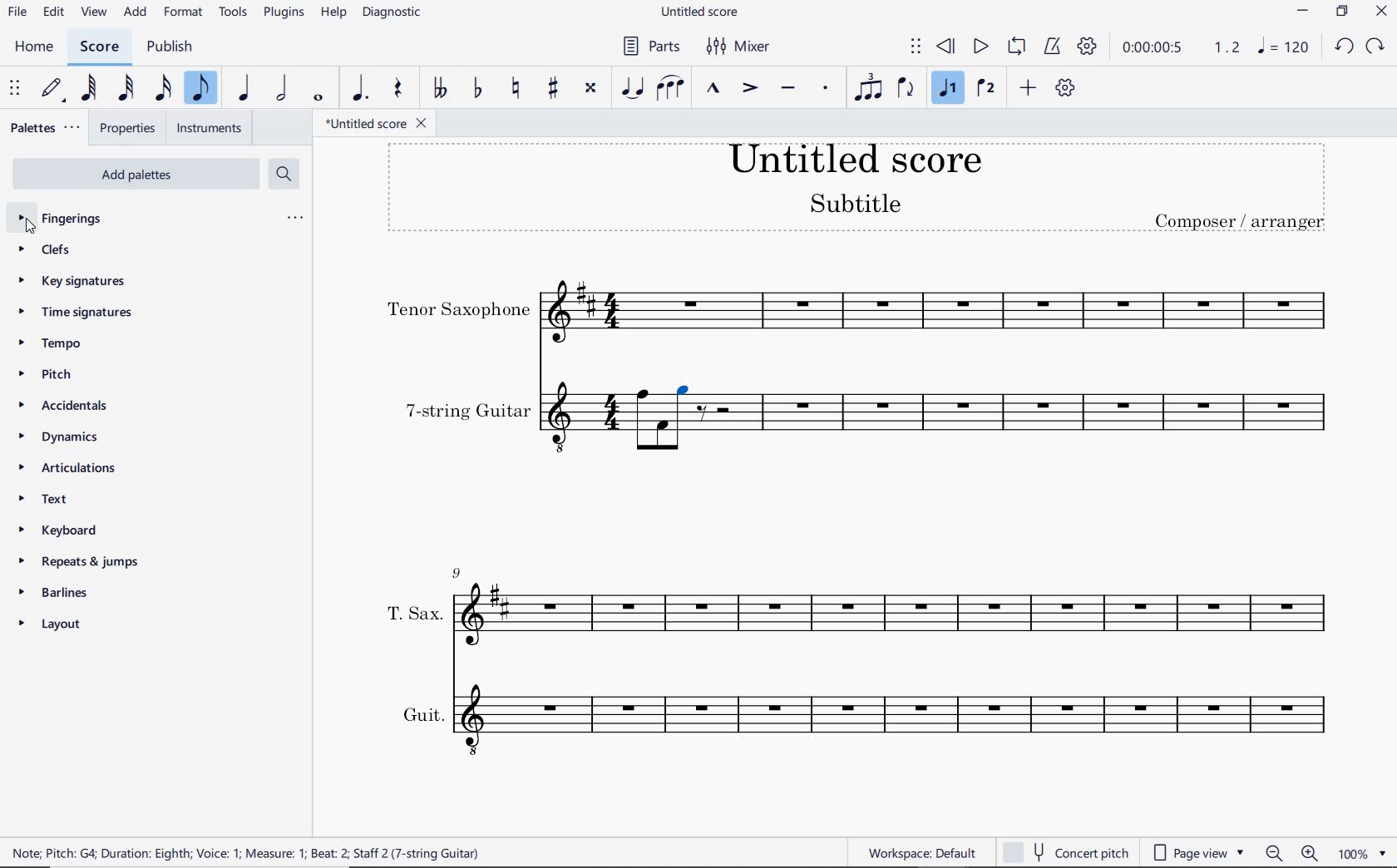 The image size is (1397, 868). What do you see at coordinates (70, 217) in the screenshot?
I see `FINGERINGS` at bounding box center [70, 217].